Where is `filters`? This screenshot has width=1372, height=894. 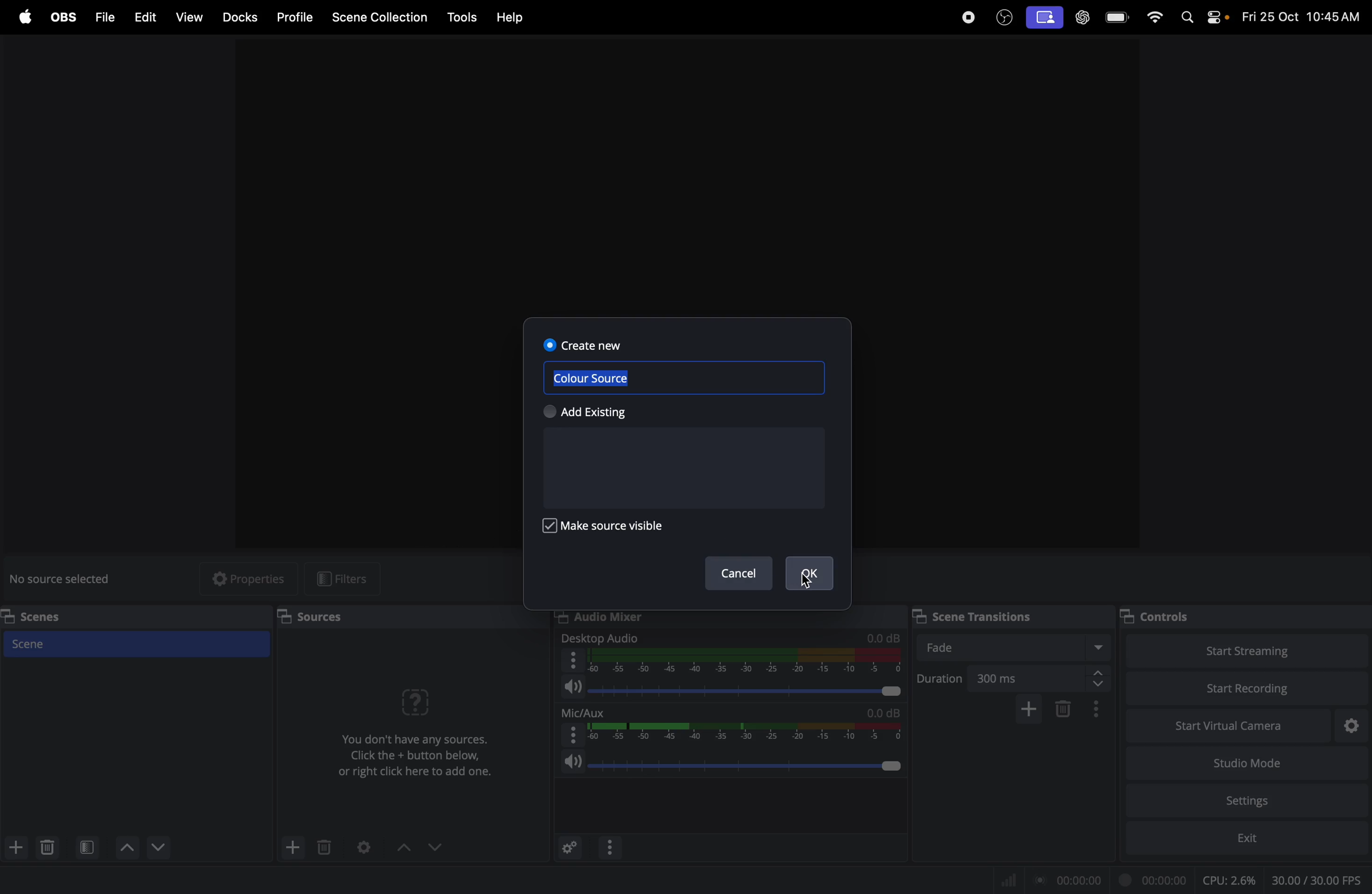
filters is located at coordinates (342, 579).